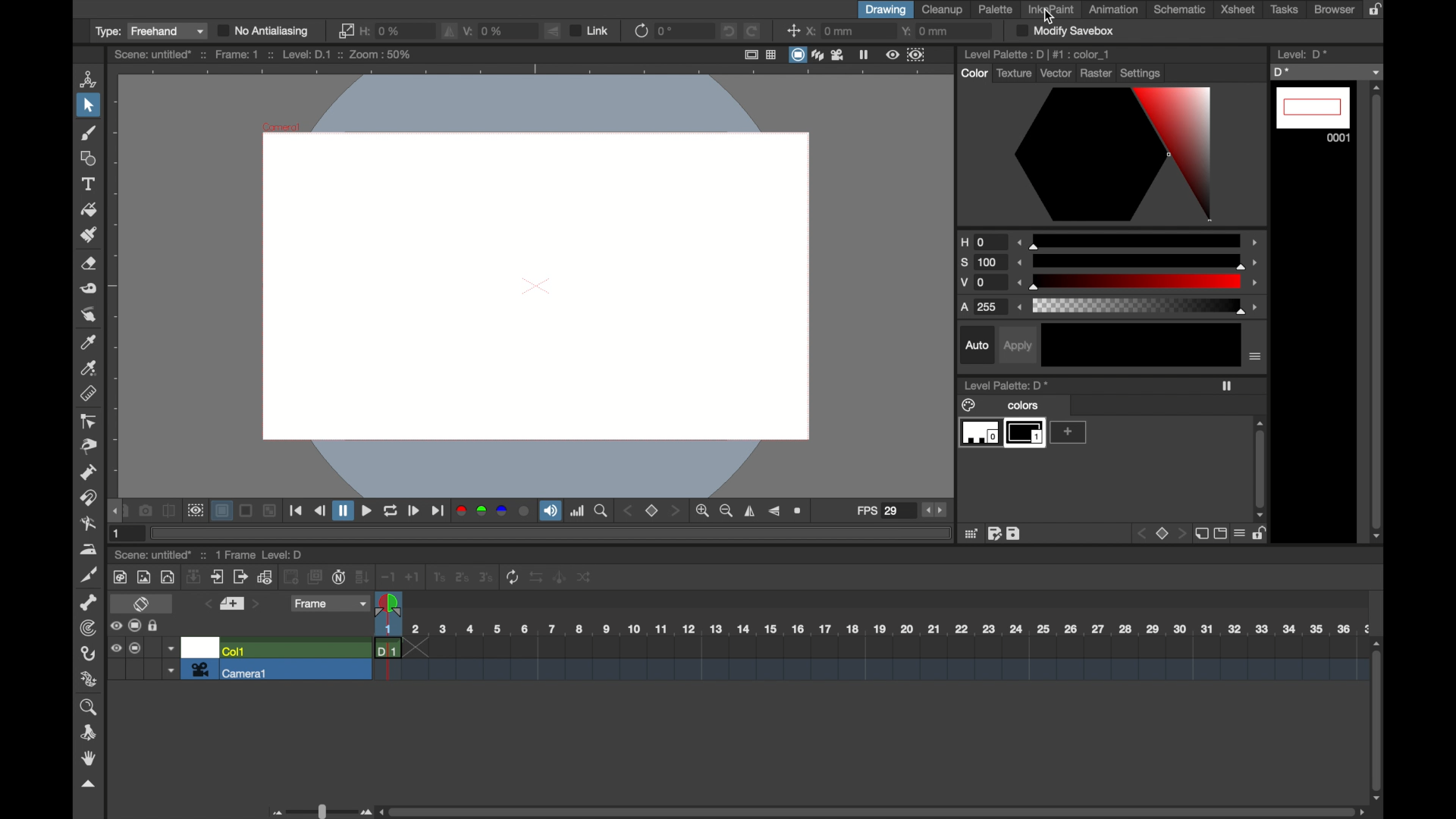 This screenshot has width=1456, height=819. I want to click on modify sandbox, so click(1065, 30).